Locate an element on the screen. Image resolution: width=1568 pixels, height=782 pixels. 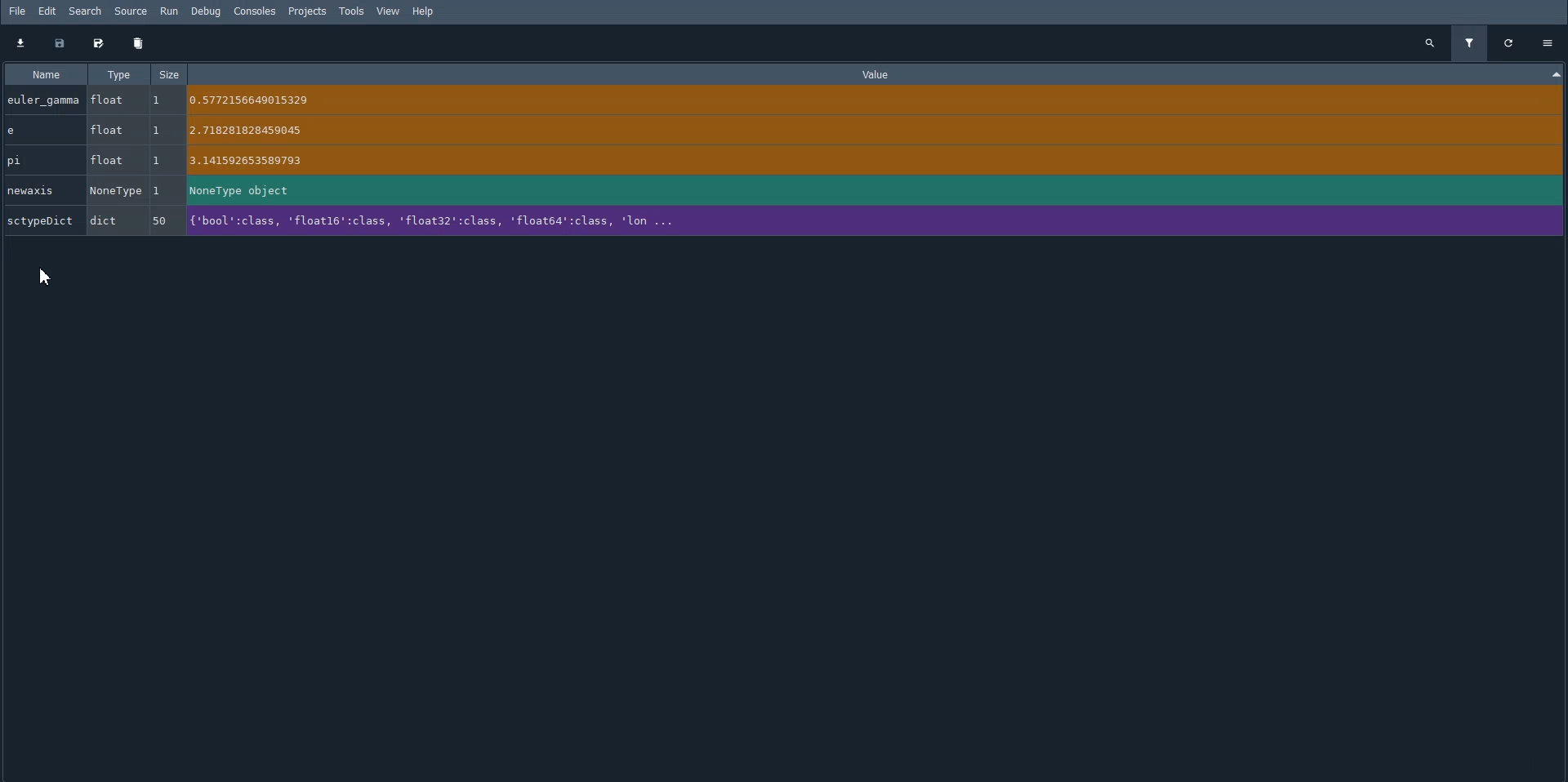
Type is located at coordinates (119, 74).